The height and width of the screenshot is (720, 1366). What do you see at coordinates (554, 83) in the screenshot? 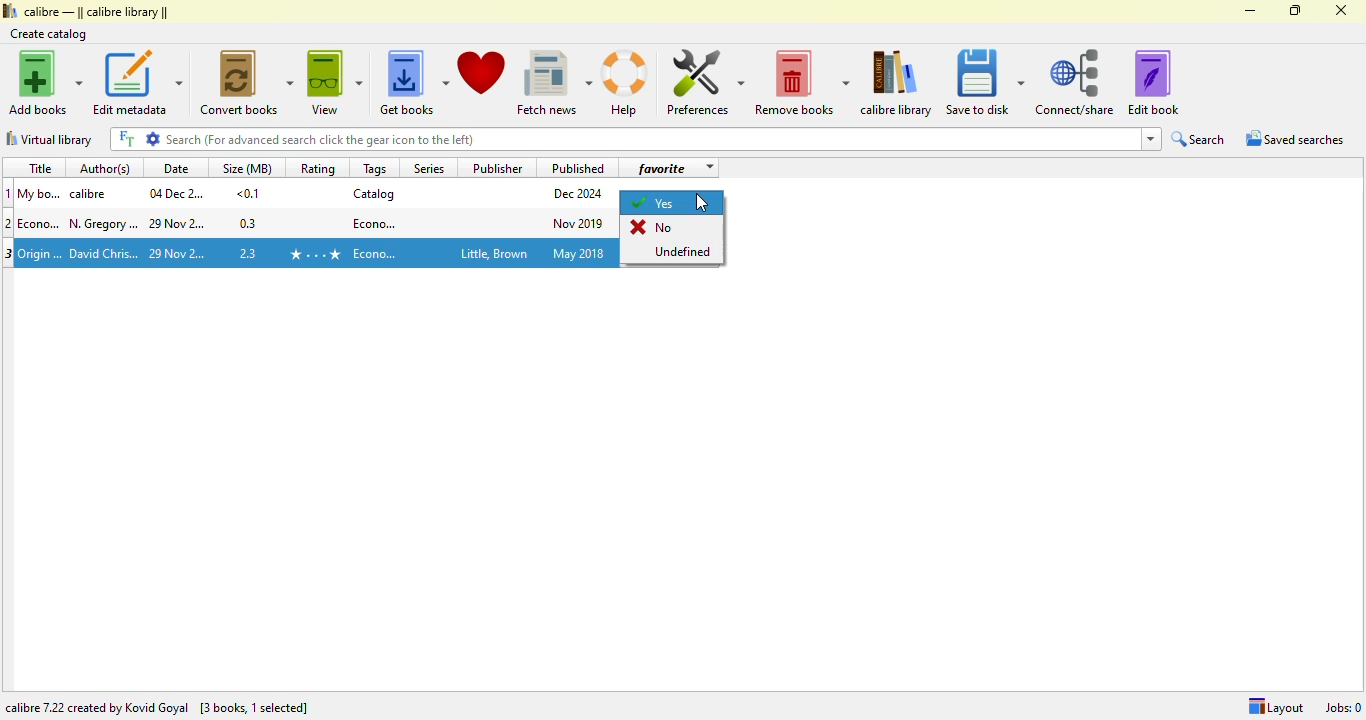
I see `fetch news` at bounding box center [554, 83].